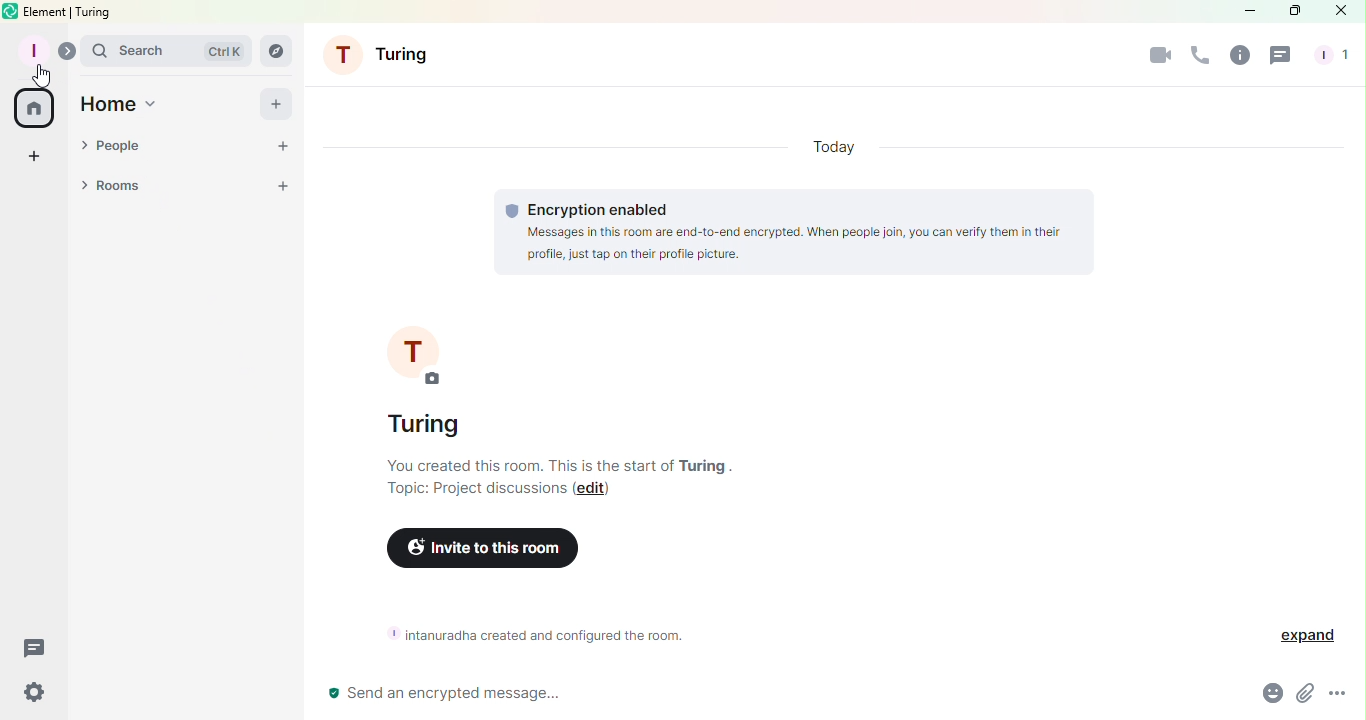  I want to click on Close, so click(1343, 12).